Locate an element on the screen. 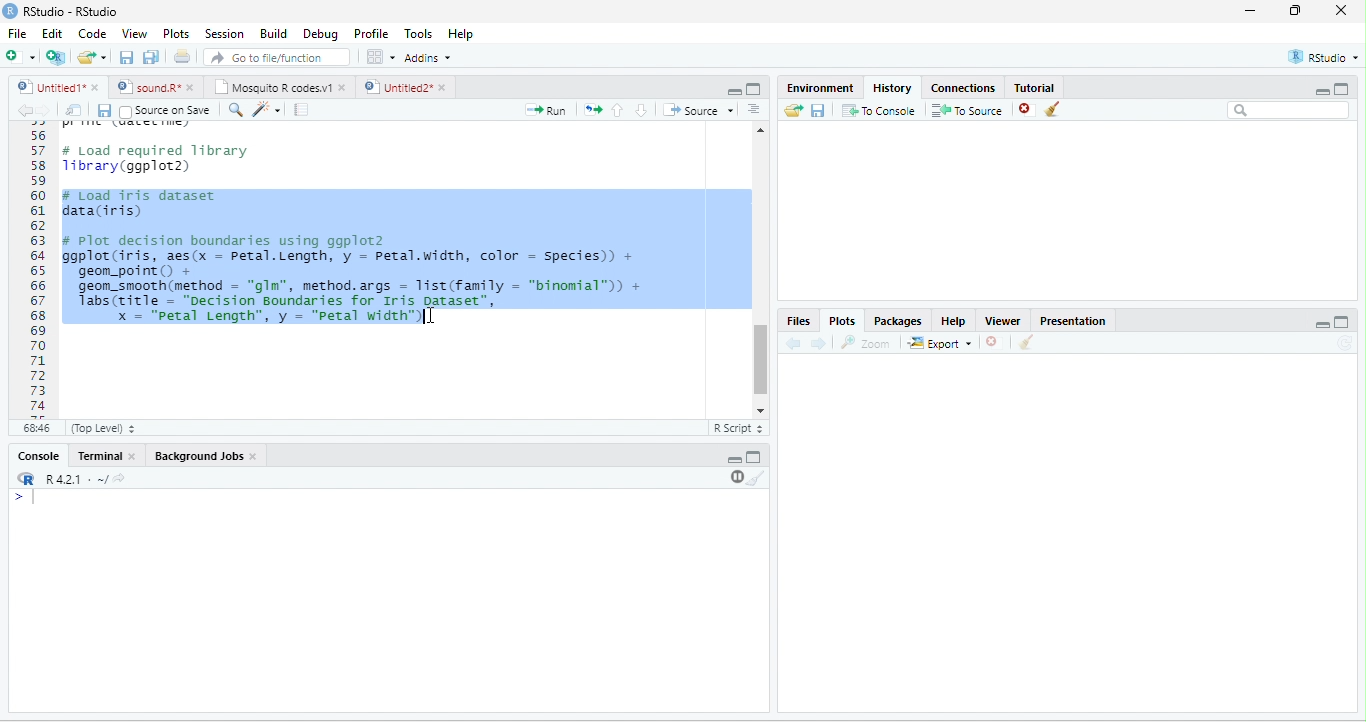 This screenshot has width=1366, height=722. Zoom is located at coordinates (864, 343).